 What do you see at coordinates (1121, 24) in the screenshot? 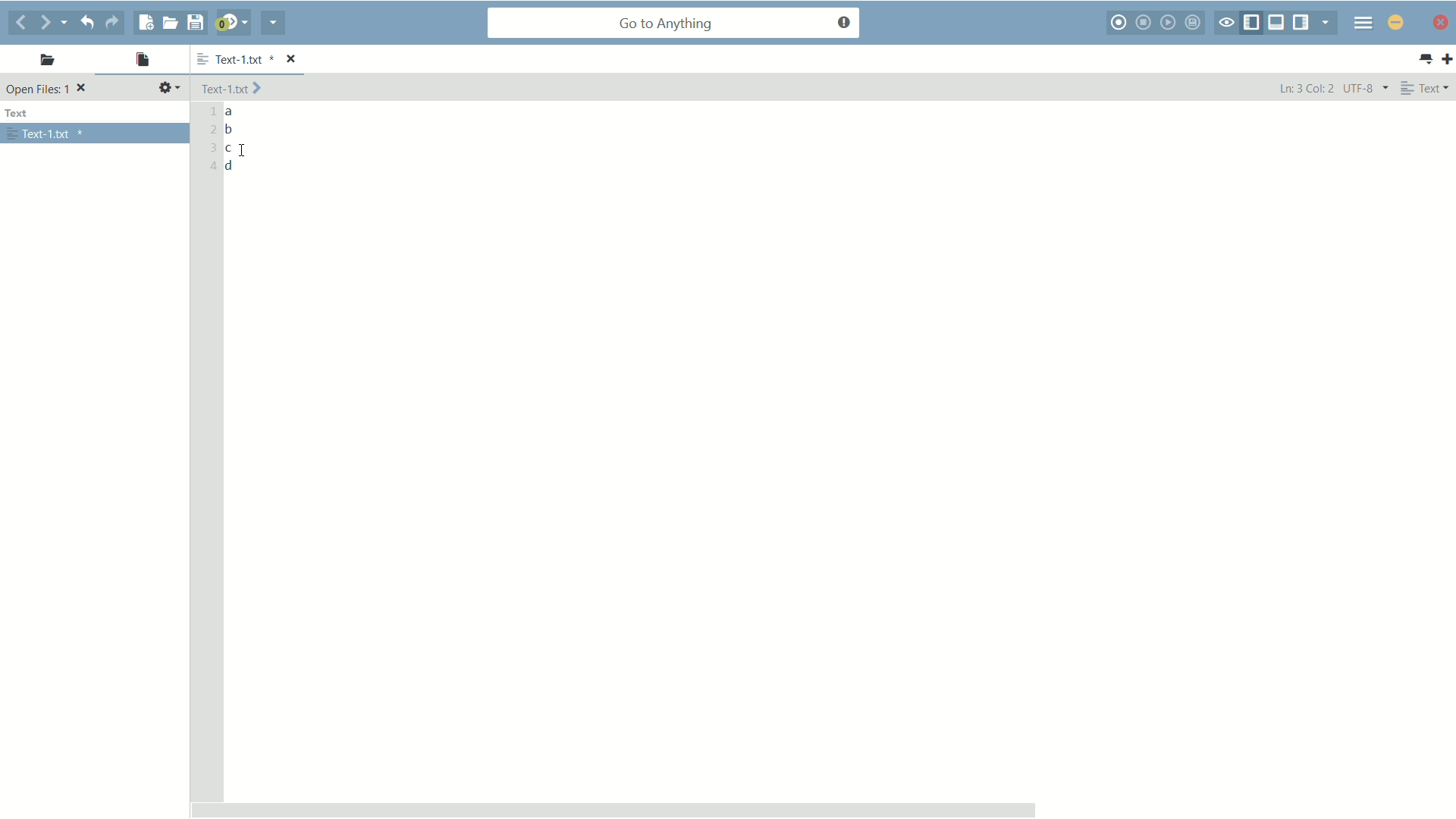
I see `start macro` at bounding box center [1121, 24].